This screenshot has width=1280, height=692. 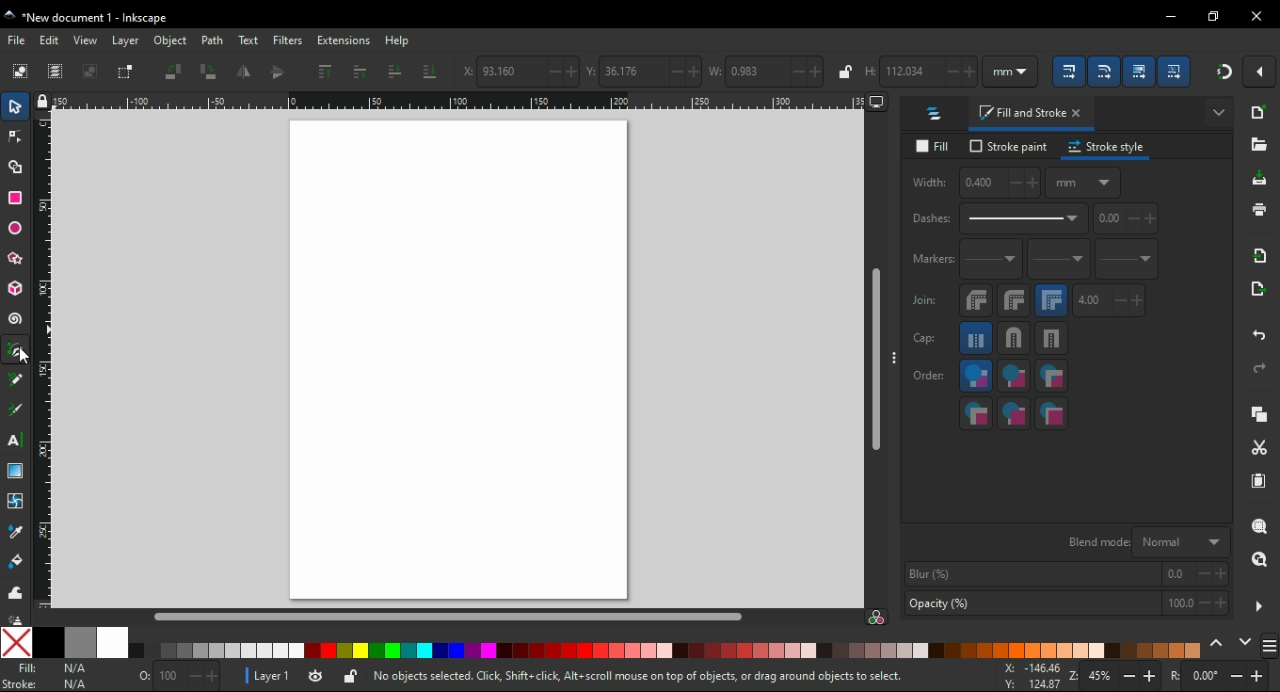 What do you see at coordinates (173, 72) in the screenshot?
I see `object rotate 90 CCW` at bounding box center [173, 72].